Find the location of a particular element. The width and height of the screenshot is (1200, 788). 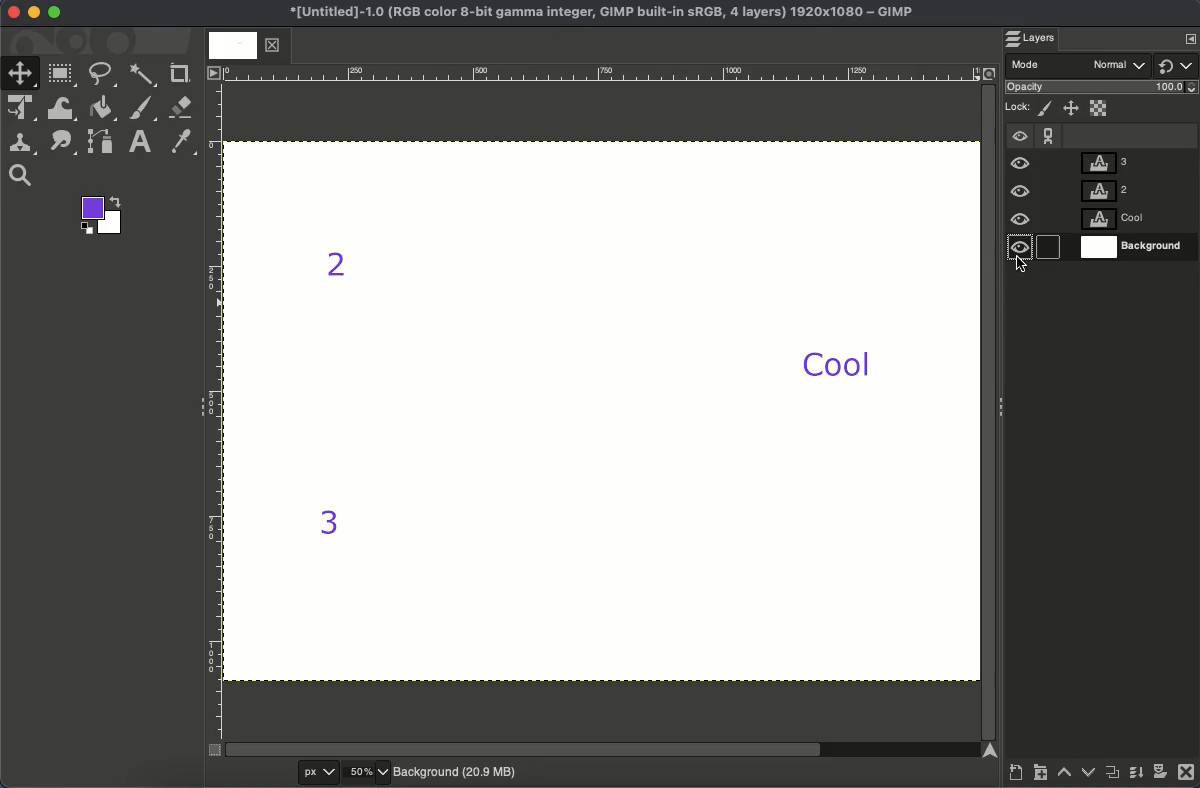

Cool is located at coordinates (838, 364).